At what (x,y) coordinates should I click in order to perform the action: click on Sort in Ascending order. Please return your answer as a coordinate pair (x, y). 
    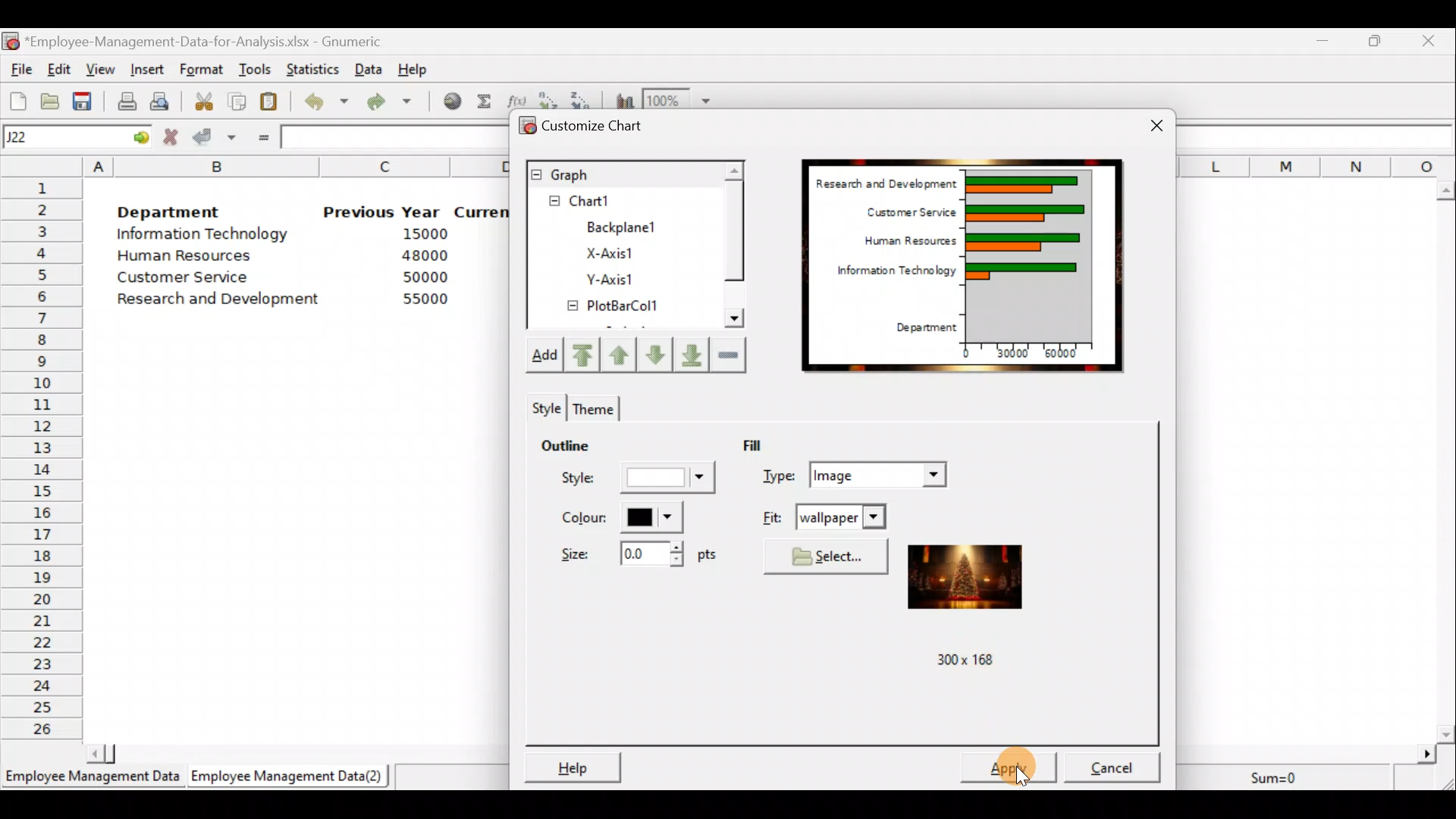
    Looking at the image, I should click on (549, 98).